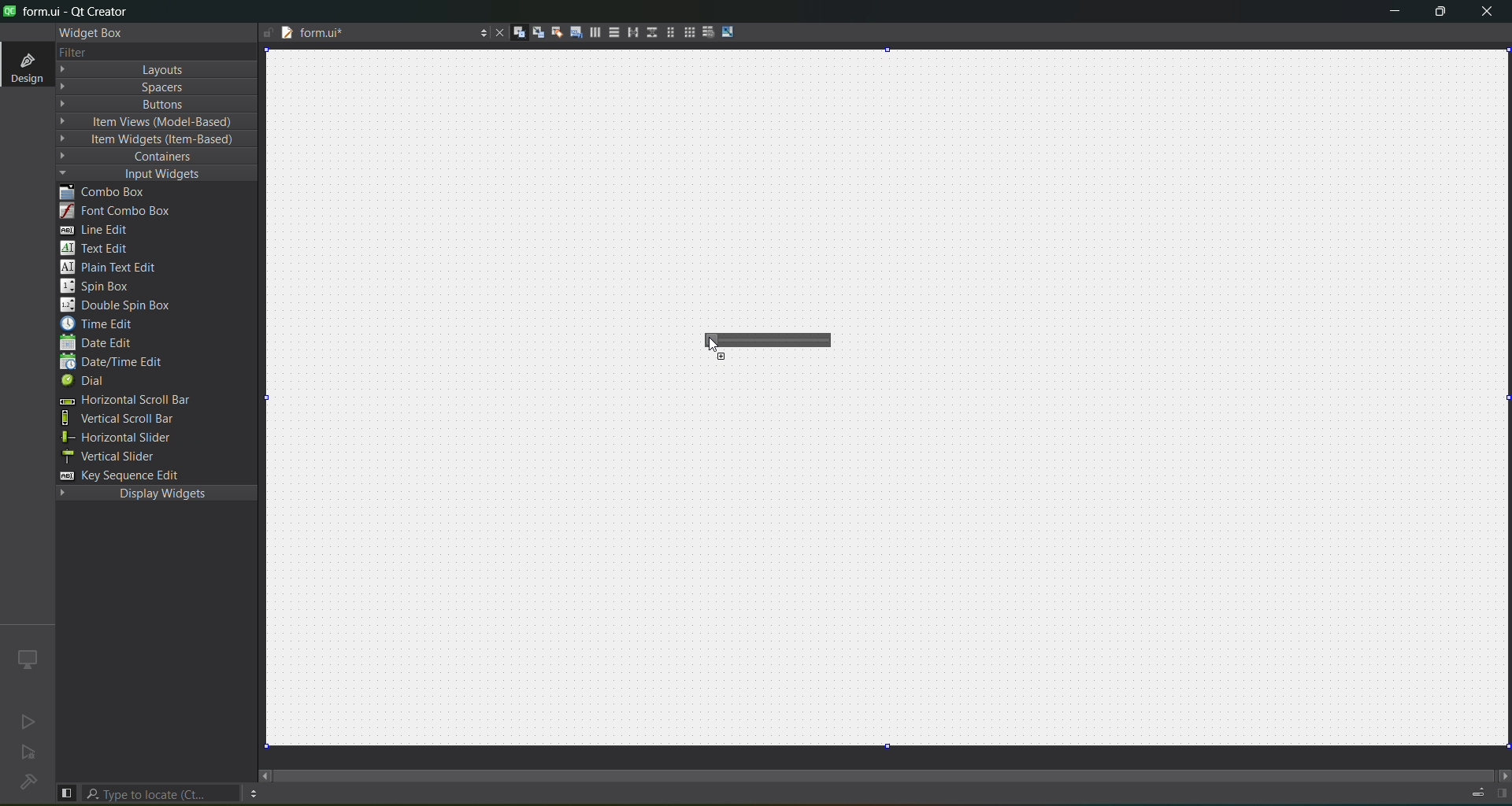  What do you see at coordinates (591, 31) in the screenshot?
I see `horizontal layout` at bounding box center [591, 31].